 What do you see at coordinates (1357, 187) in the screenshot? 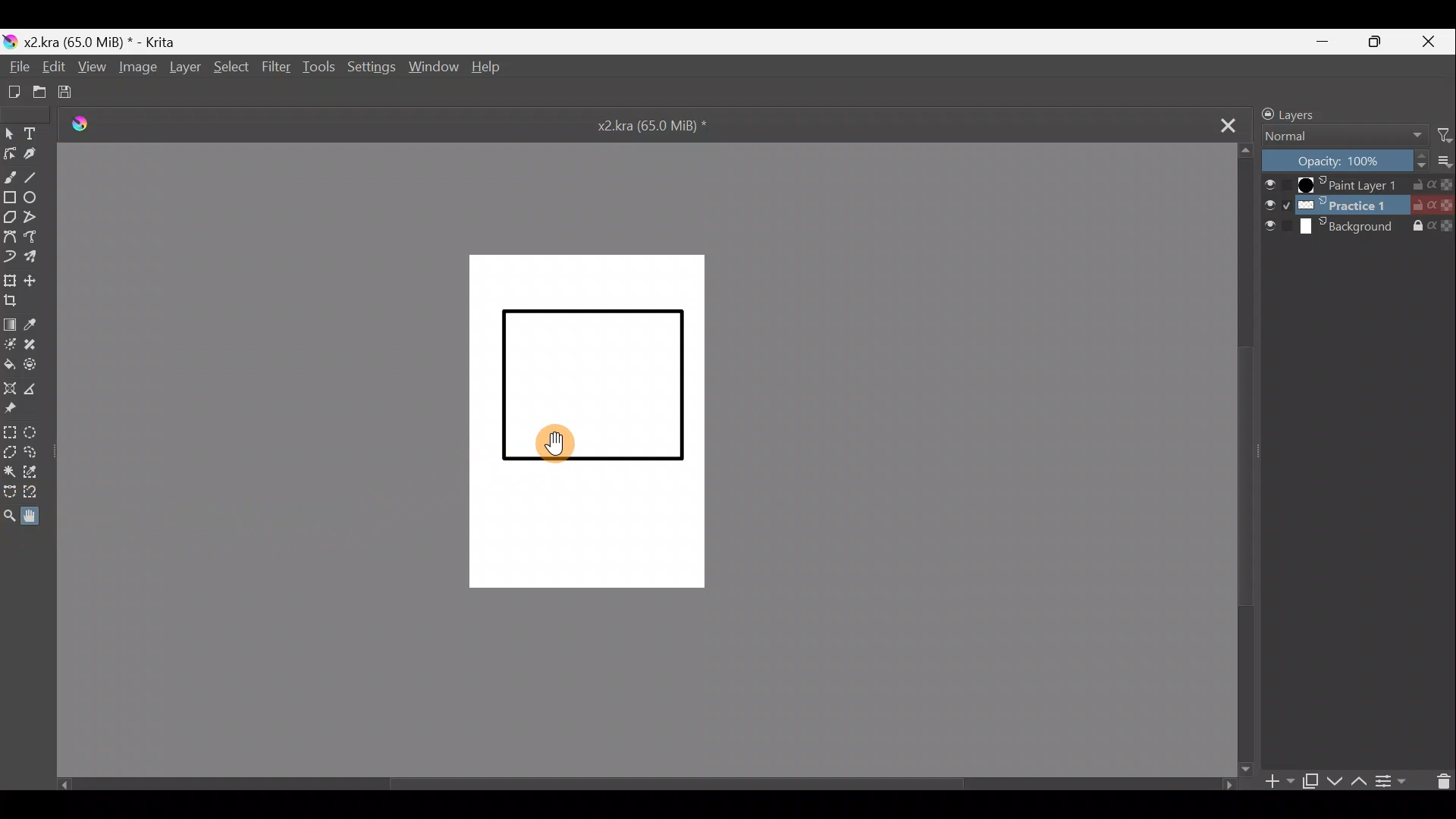
I see `Paint Layer 1` at bounding box center [1357, 187].